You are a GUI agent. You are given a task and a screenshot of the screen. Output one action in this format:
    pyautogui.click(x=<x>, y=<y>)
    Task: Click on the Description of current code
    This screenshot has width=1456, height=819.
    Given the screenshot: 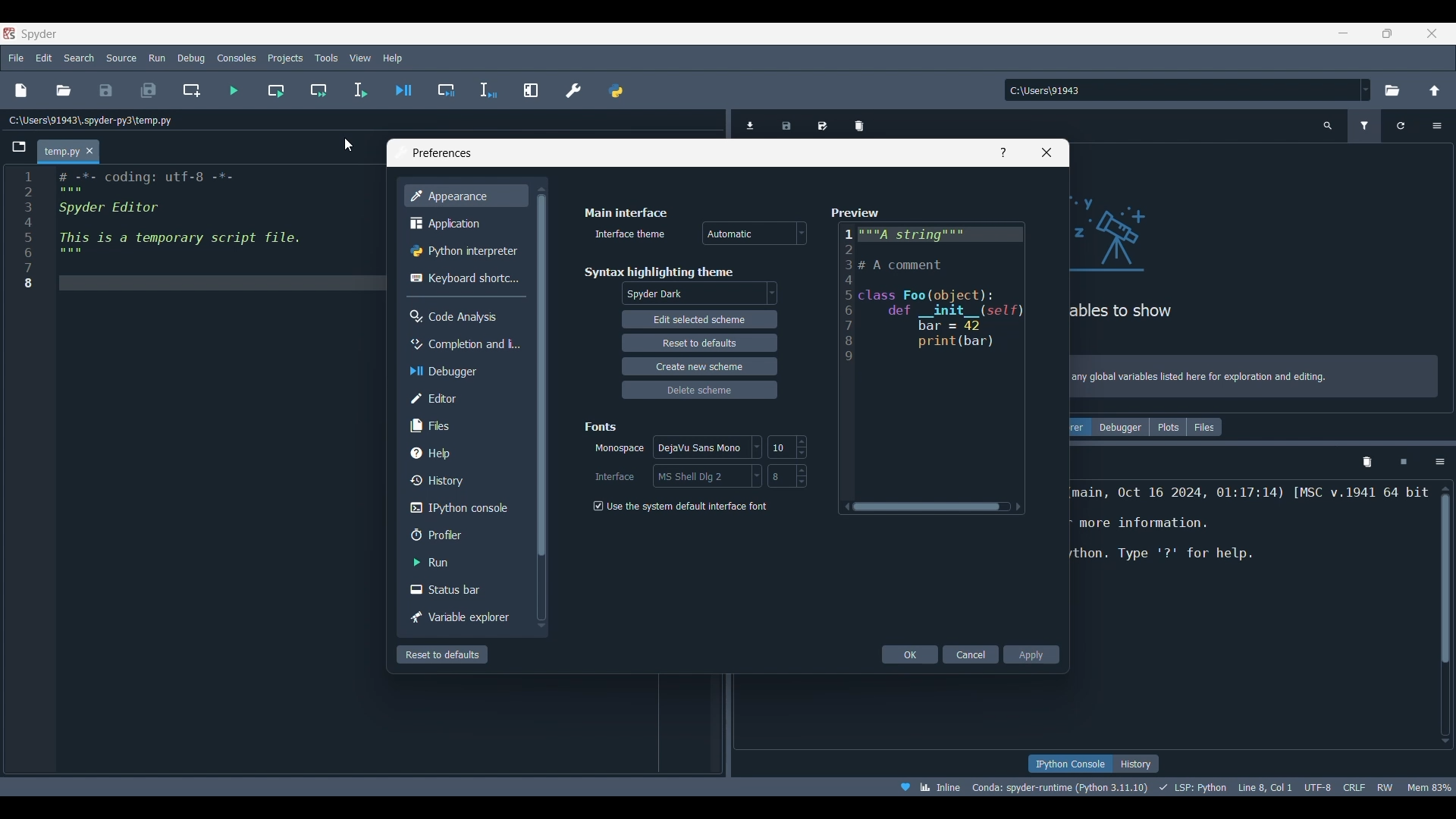 What is the action you would take?
    pyautogui.click(x=1245, y=536)
    